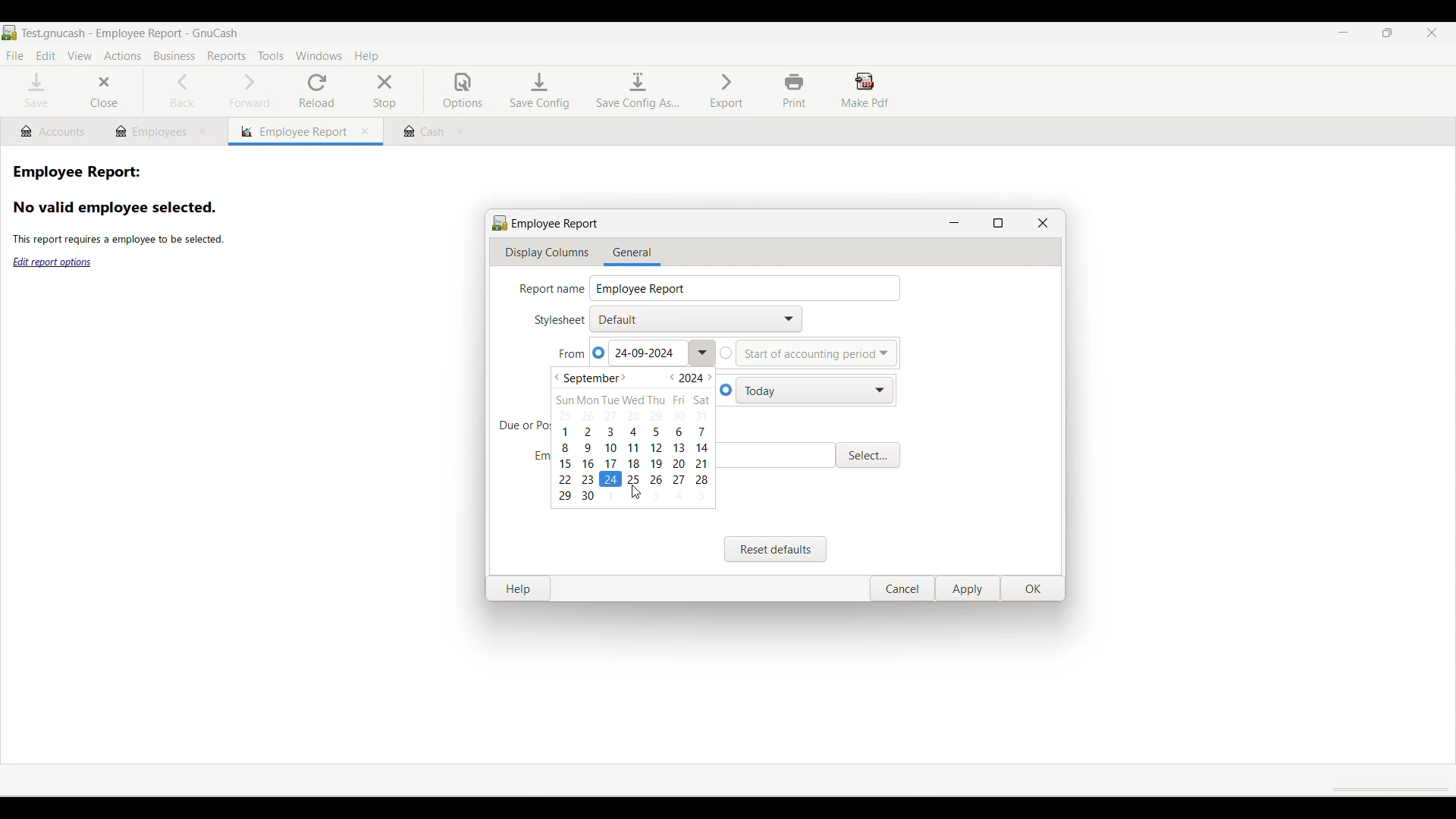 The image size is (1456, 819). I want to click on Cursor selecting required start date for report, so click(634, 493).